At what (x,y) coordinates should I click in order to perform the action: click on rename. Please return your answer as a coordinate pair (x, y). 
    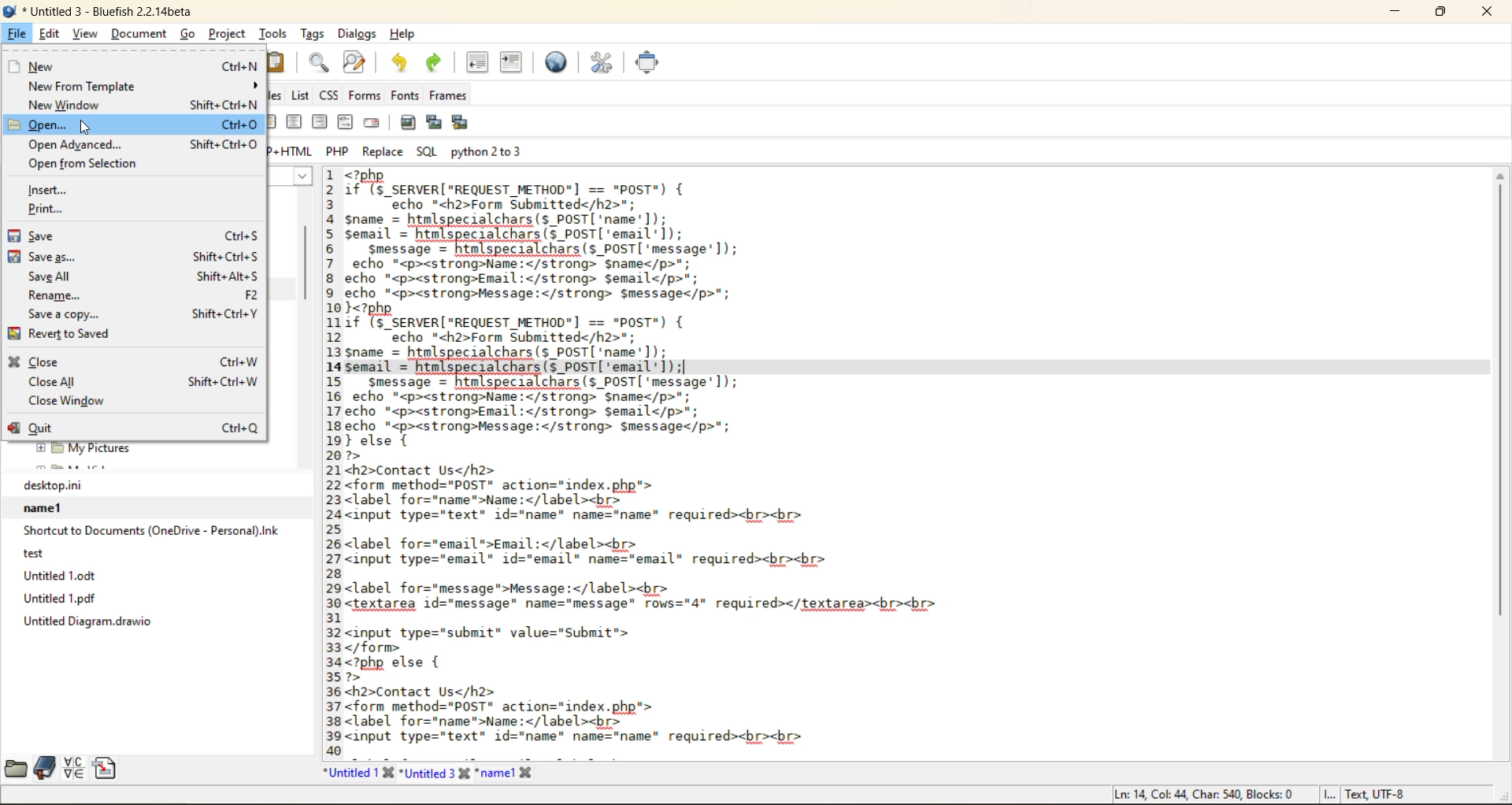
    Looking at the image, I should click on (141, 295).